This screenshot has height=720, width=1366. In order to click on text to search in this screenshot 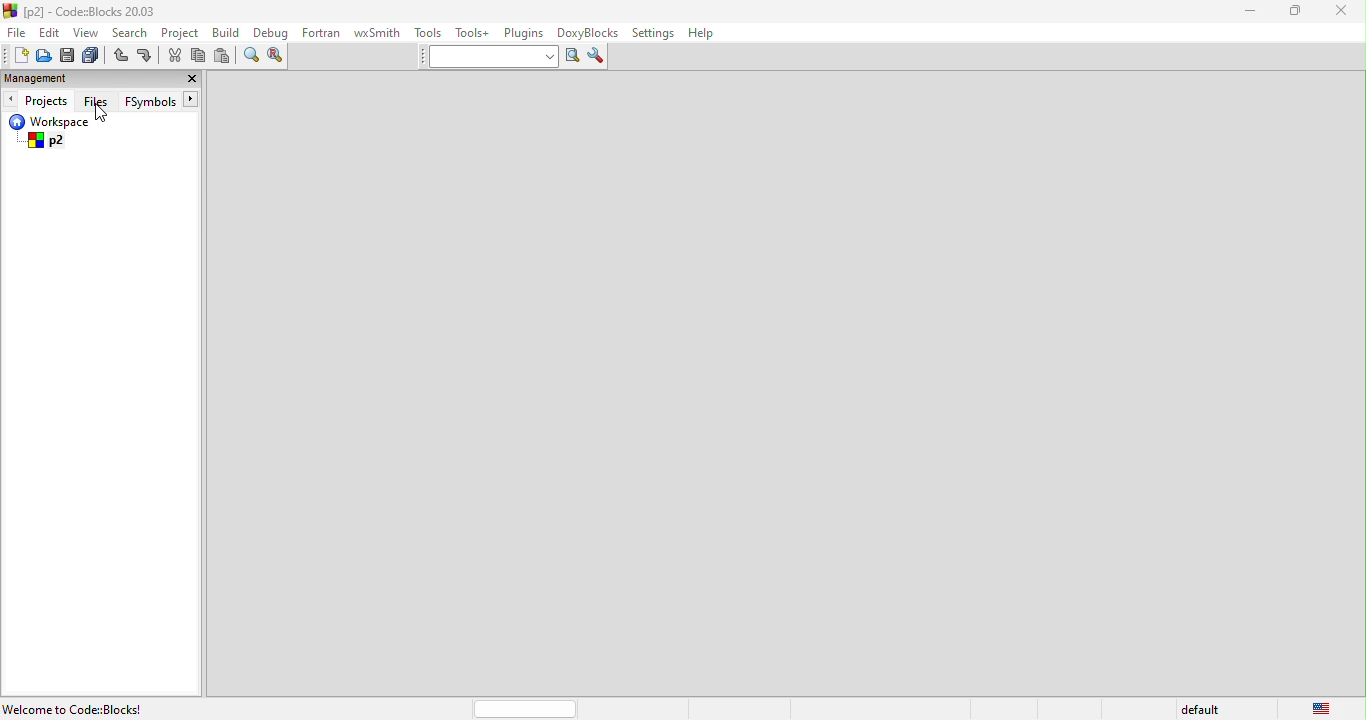, I will do `click(488, 58)`.